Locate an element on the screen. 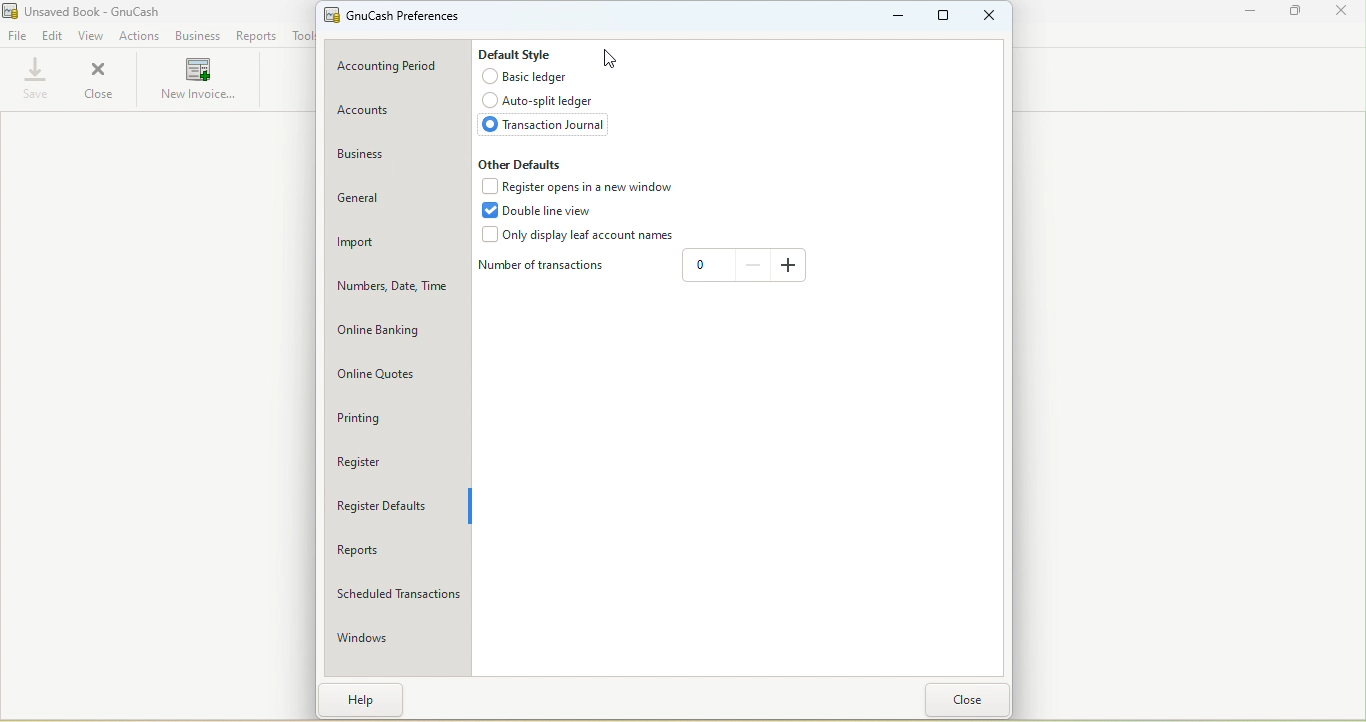  Tools is located at coordinates (300, 35).